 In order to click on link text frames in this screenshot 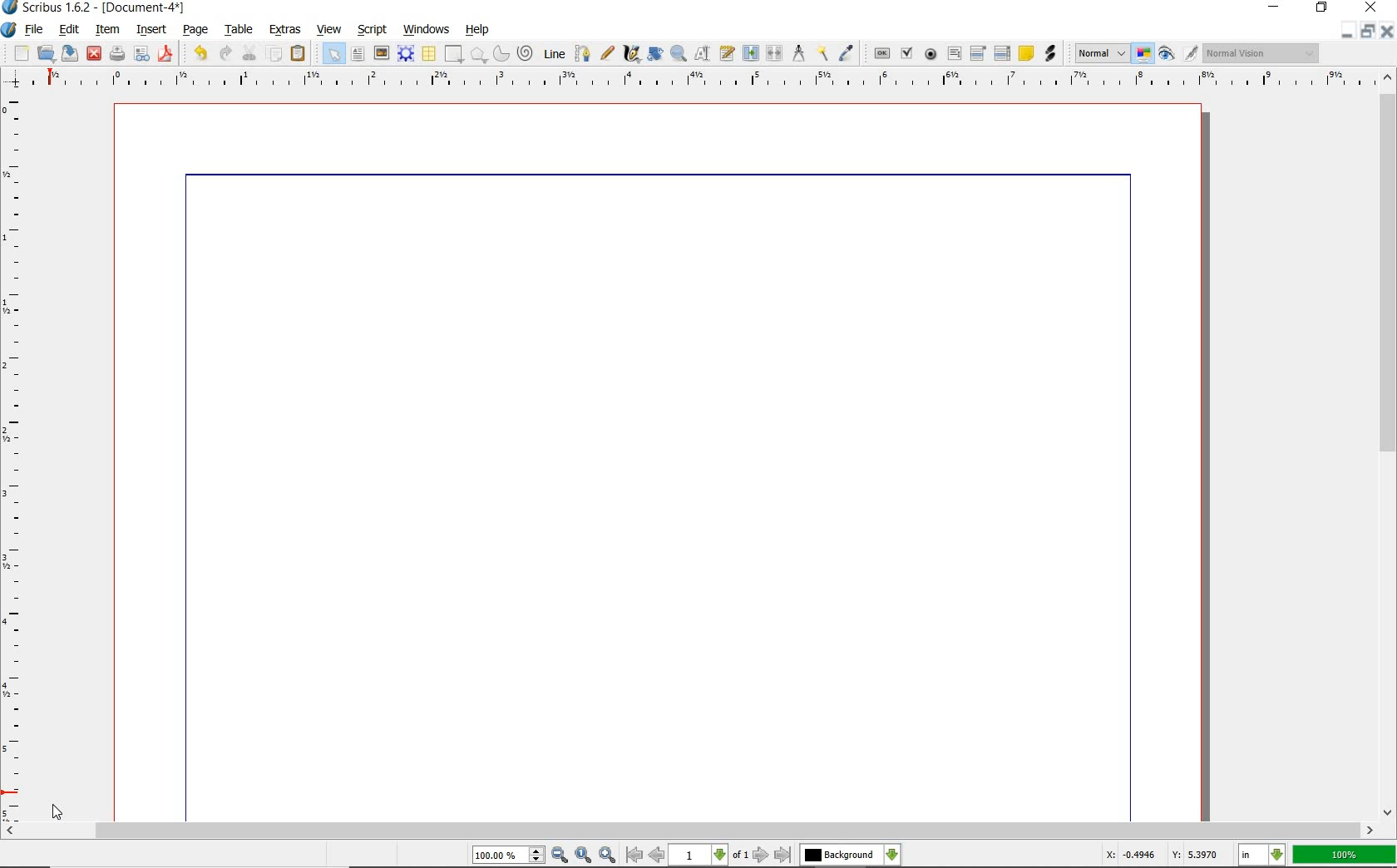, I will do `click(749, 52)`.